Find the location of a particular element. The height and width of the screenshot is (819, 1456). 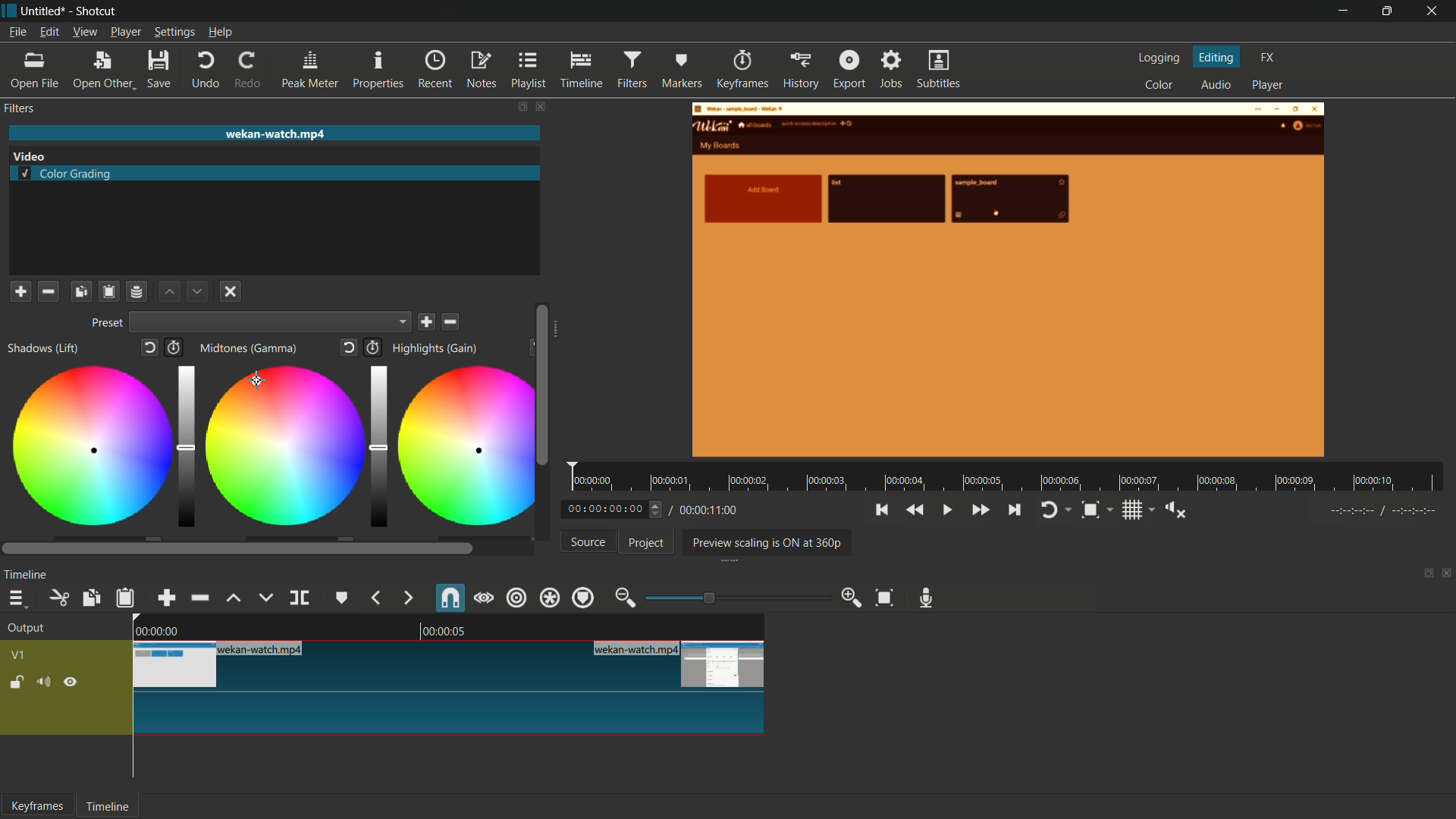

adjustment bar is located at coordinates (732, 598).